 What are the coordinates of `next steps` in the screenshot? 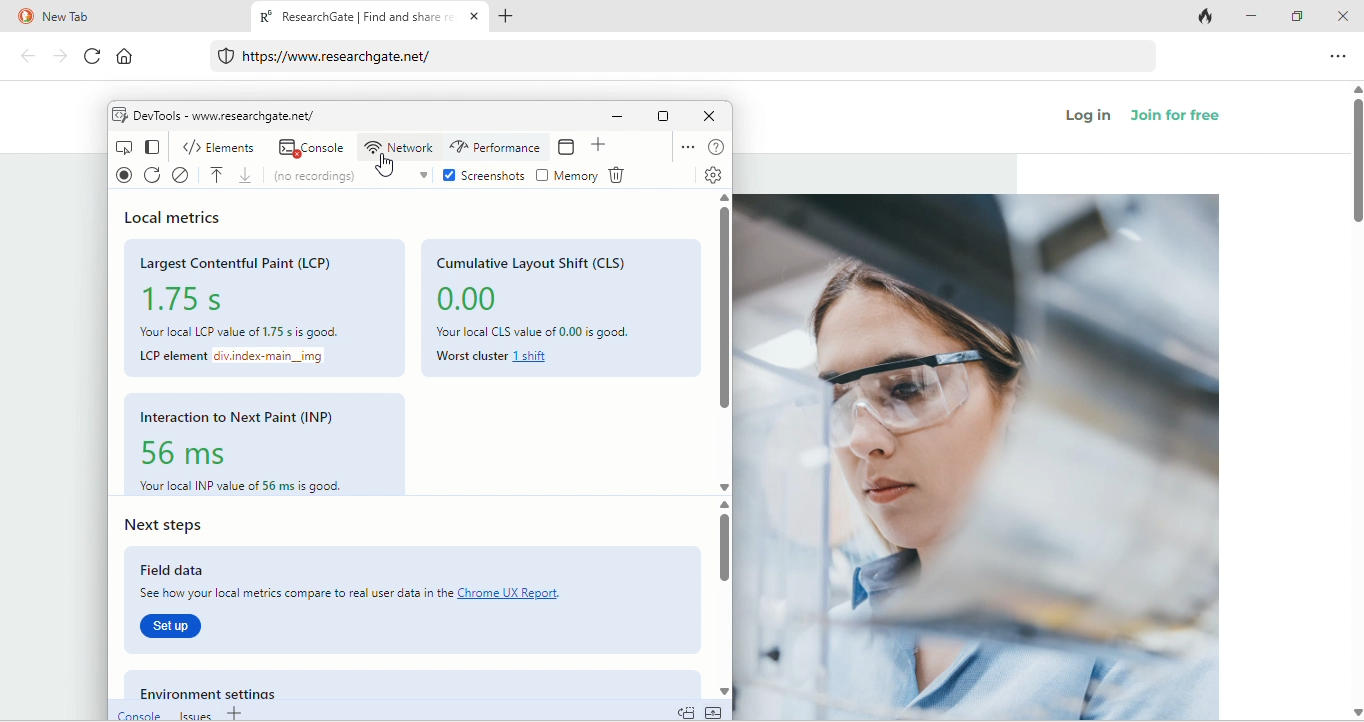 It's located at (196, 526).